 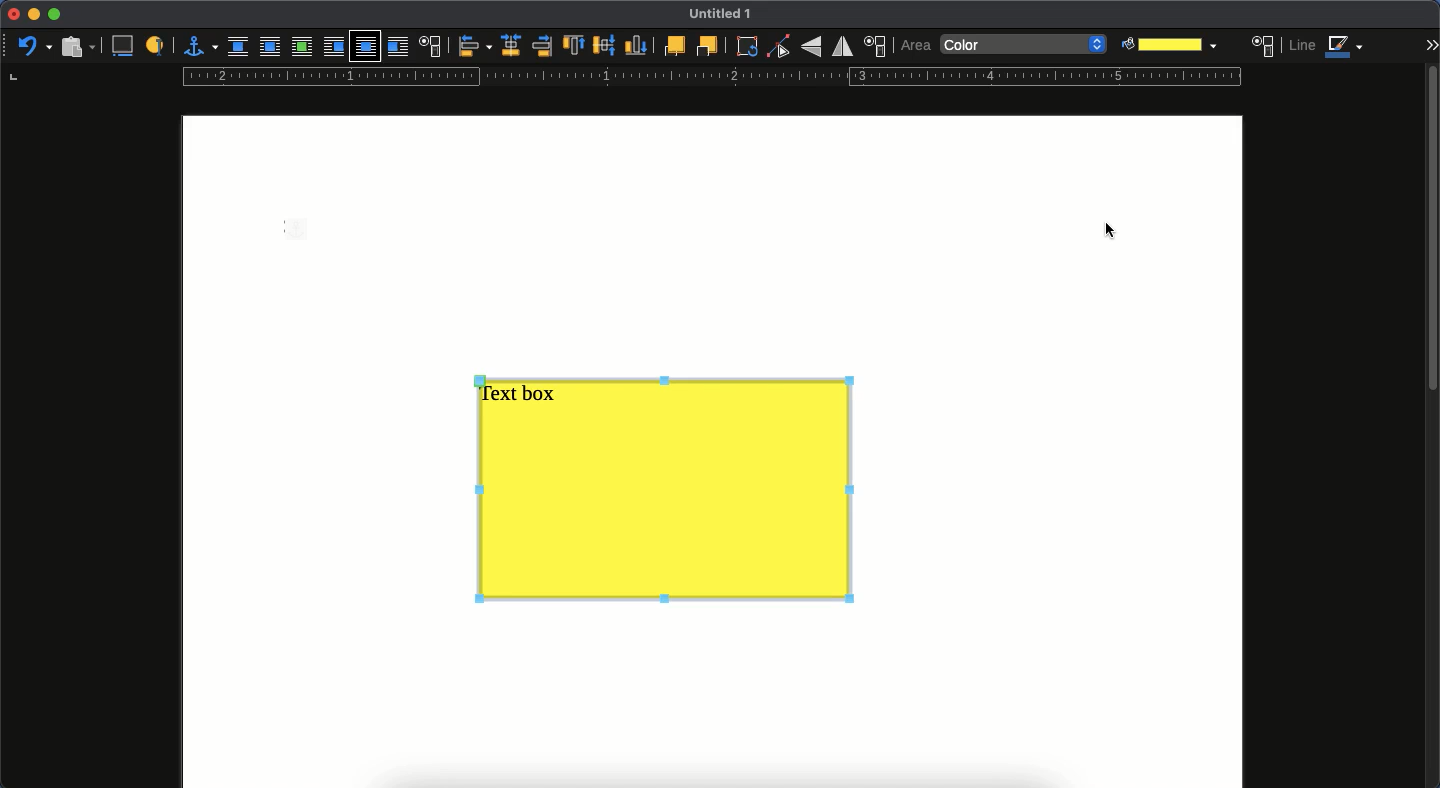 What do you see at coordinates (604, 45) in the screenshot?
I see `center` at bounding box center [604, 45].